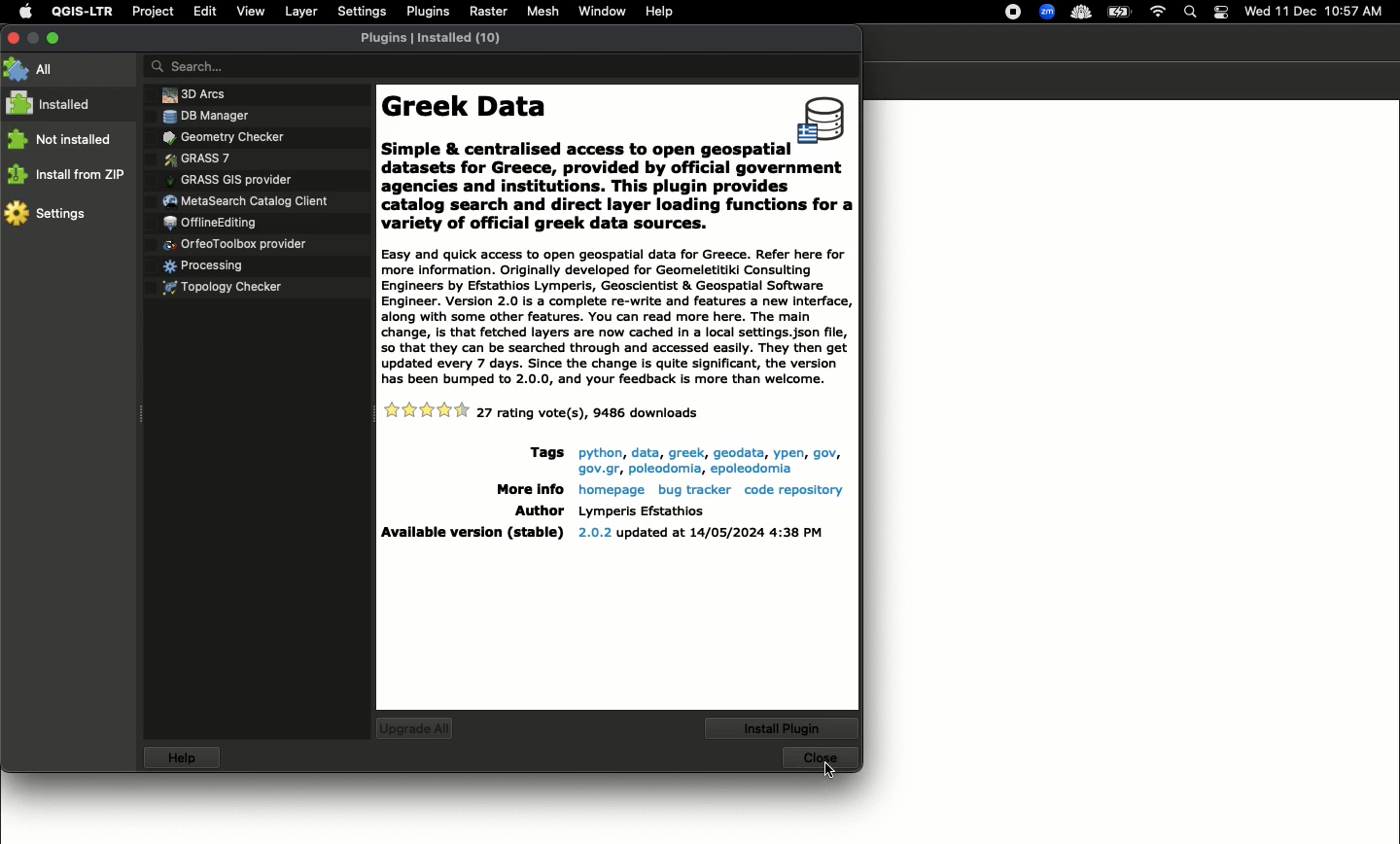 This screenshot has width=1400, height=844. Describe the element at coordinates (1220, 11) in the screenshot. I see `Notification` at that location.